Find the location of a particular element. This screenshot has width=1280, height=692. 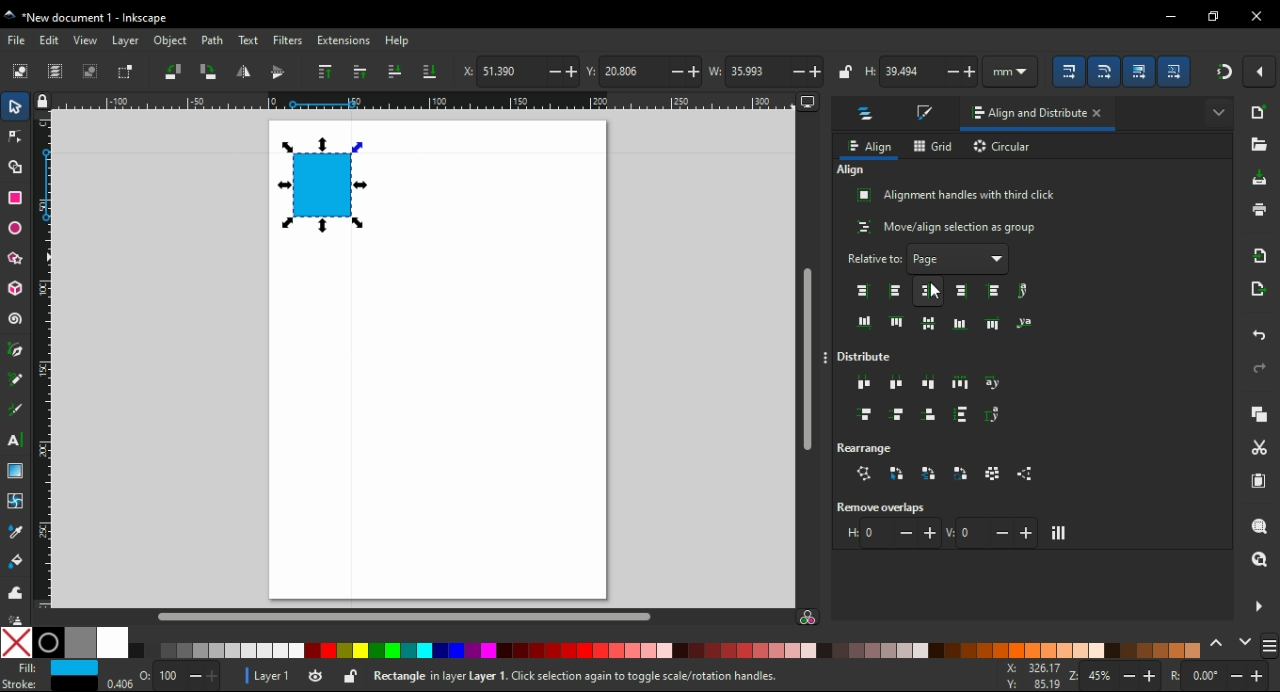

width of selection is located at coordinates (766, 71).